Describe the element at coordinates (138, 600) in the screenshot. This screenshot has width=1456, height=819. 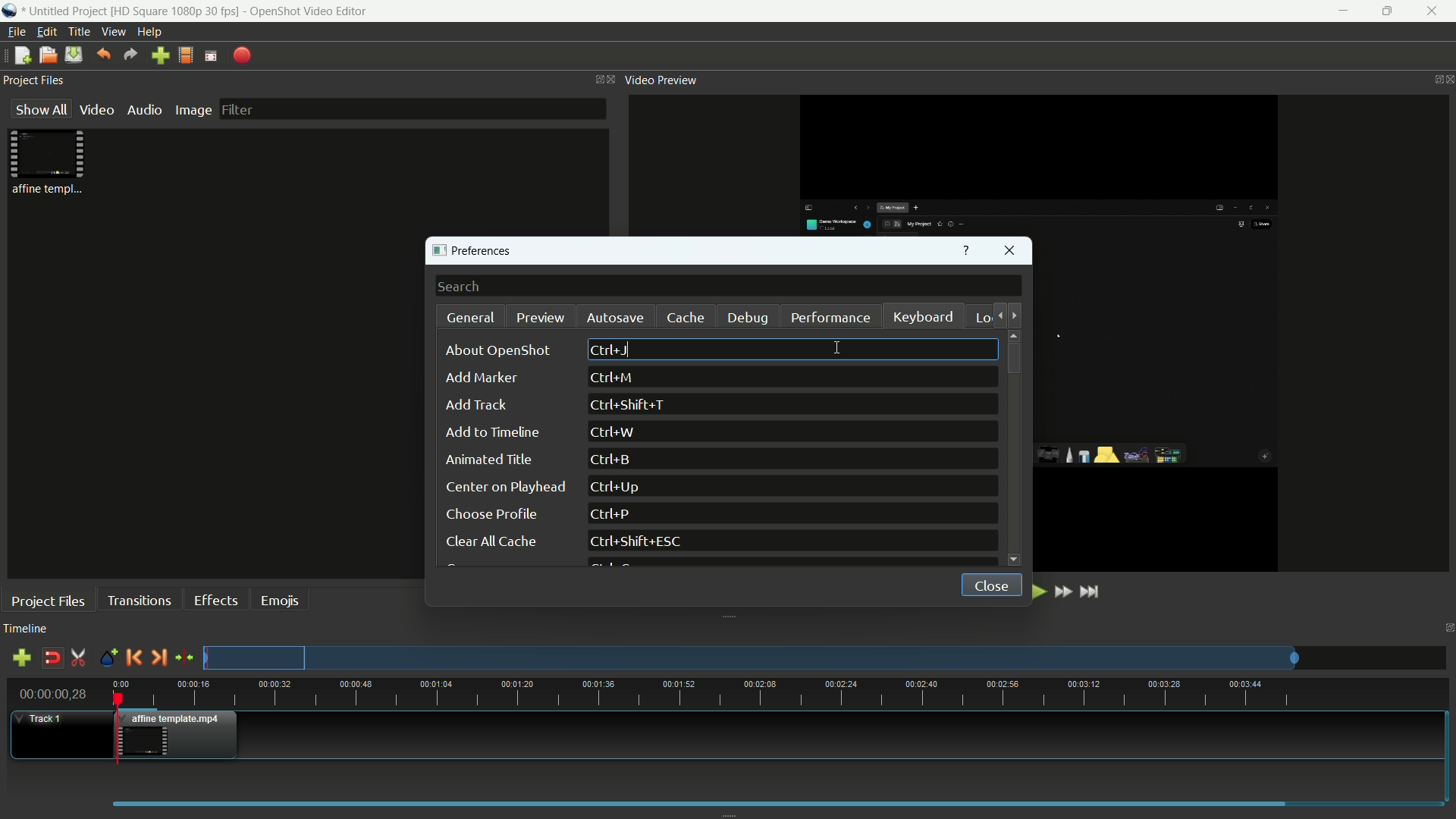
I see `transitions` at that location.